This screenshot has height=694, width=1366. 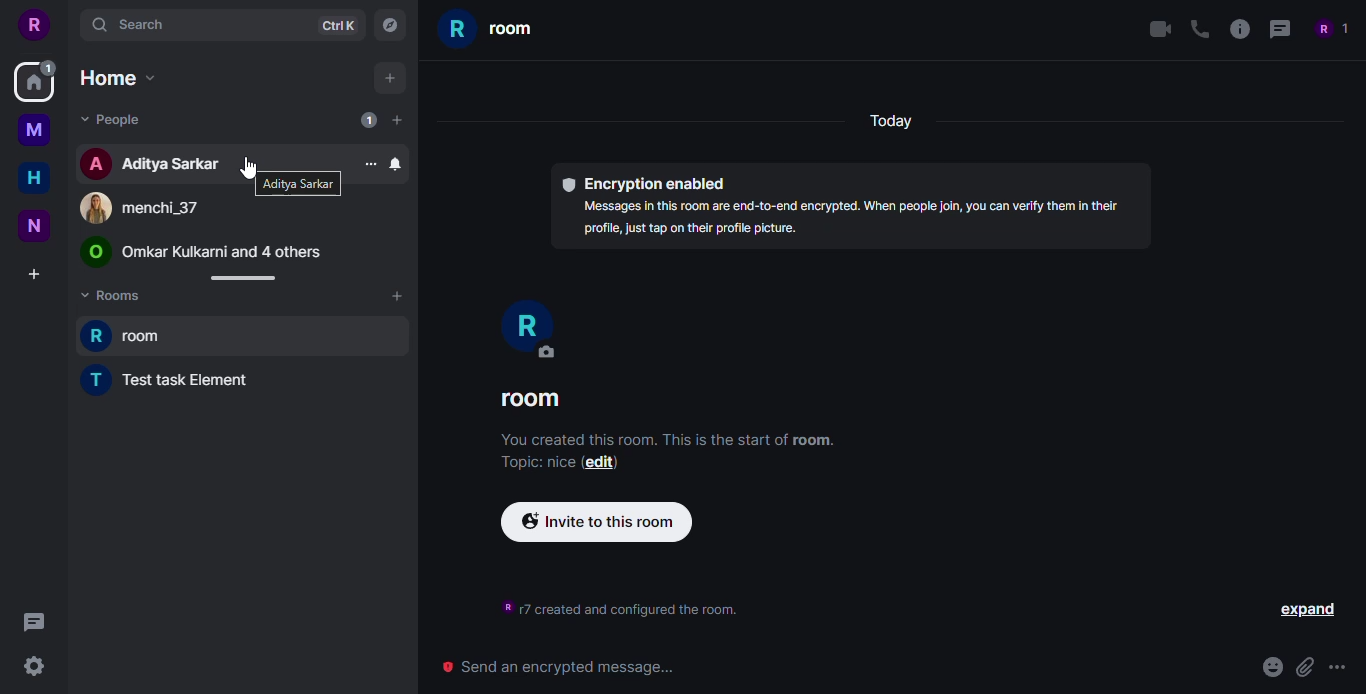 What do you see at coordinates (31, 89) in the screenshot?
I see `home` at bounding box center [31, 89].